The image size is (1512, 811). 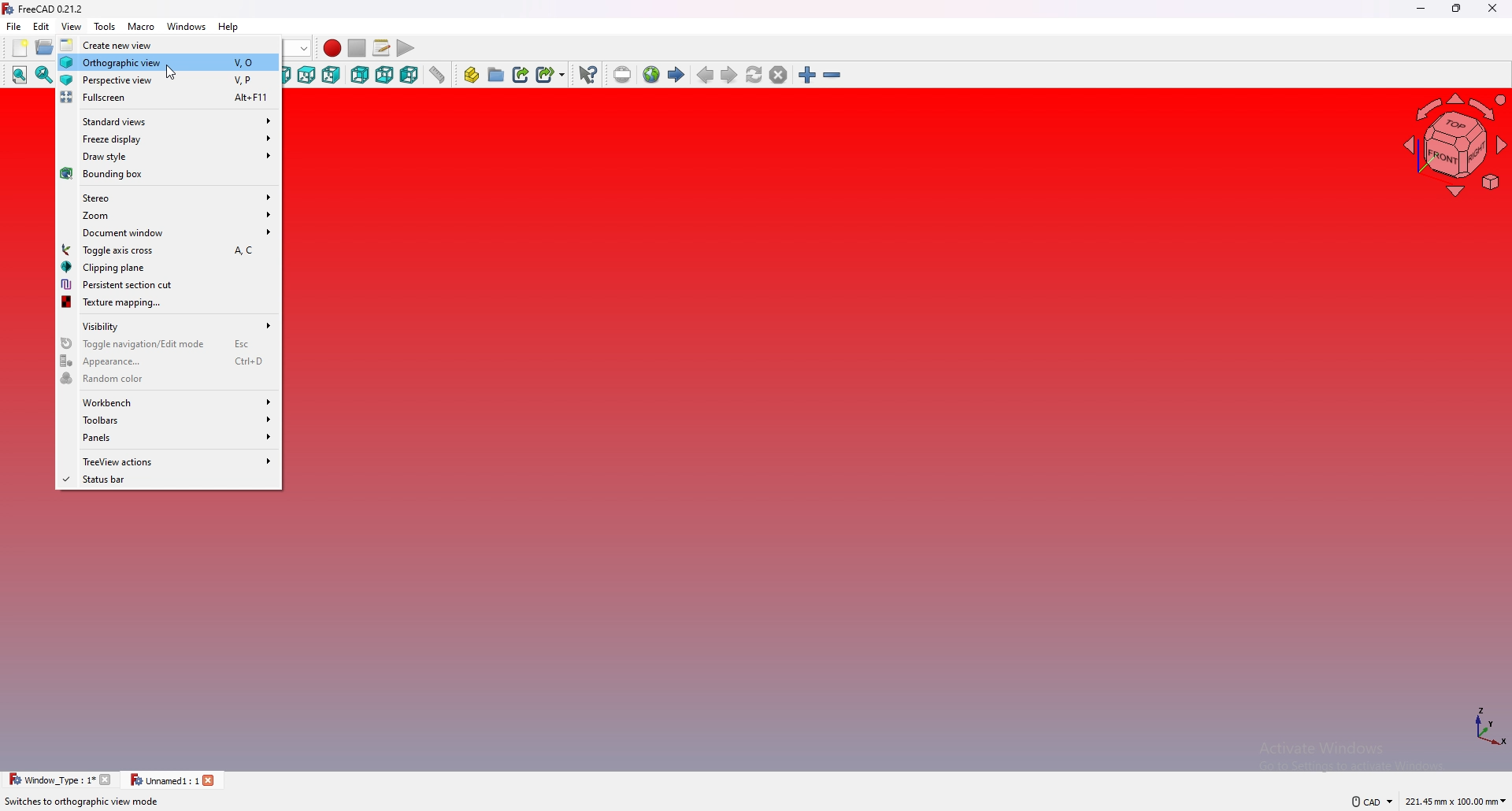 I want to click on right, so click(x=332, y=76).